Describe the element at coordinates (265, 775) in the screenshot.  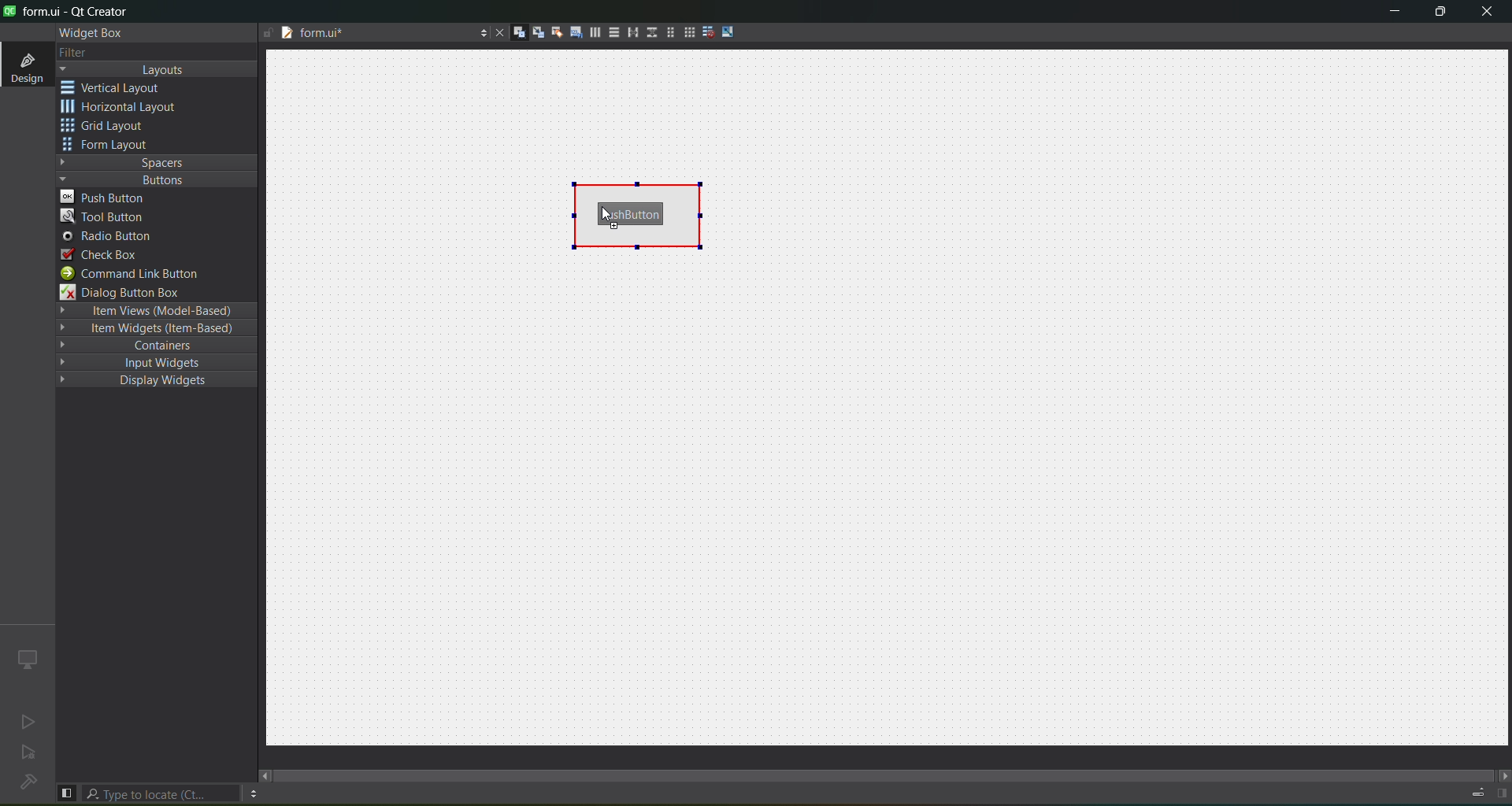
I see `move left` at that location.